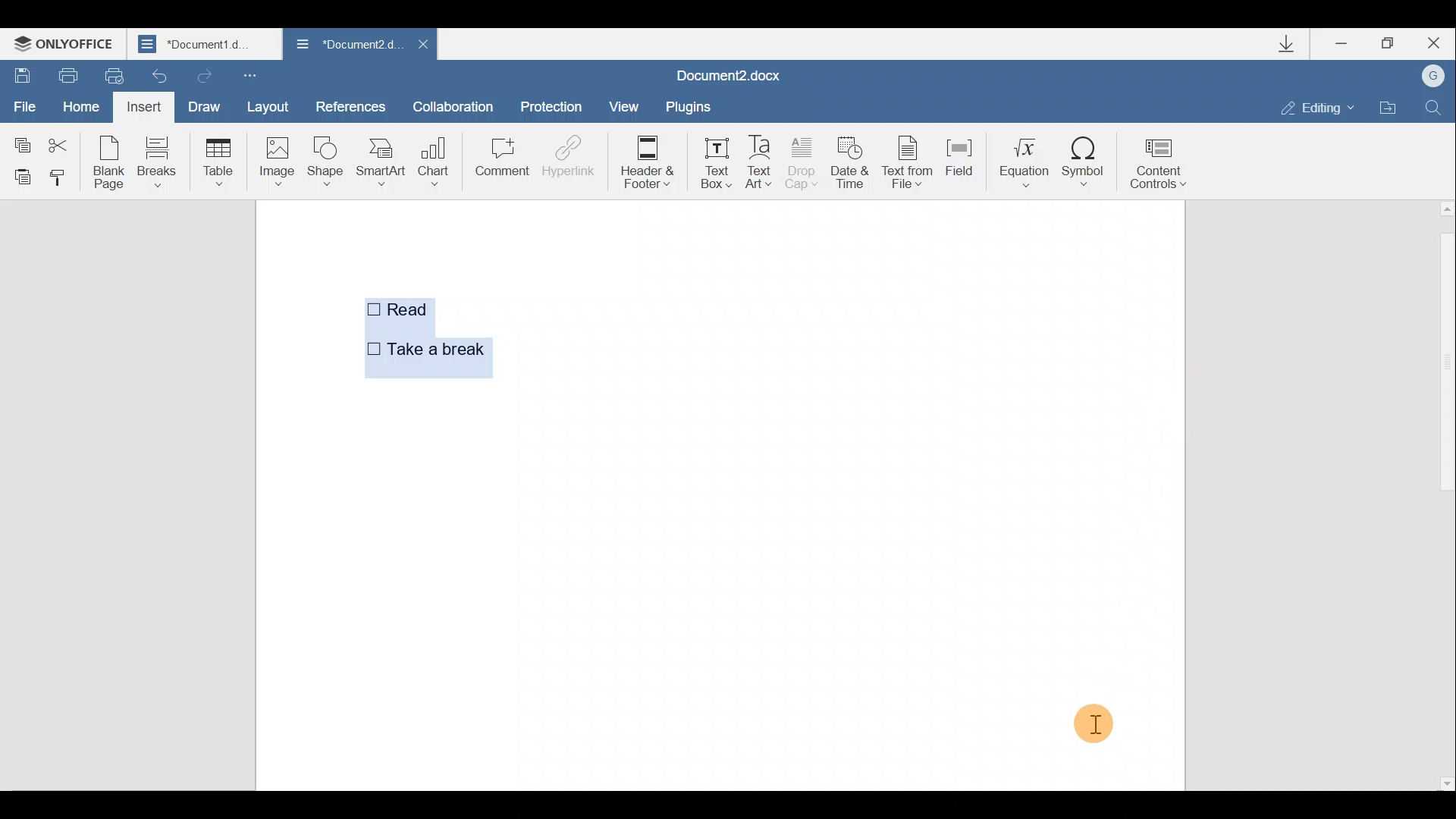  Describe the element at coordinates (20, 176) in the screenshot. I see `Paste` at that location.